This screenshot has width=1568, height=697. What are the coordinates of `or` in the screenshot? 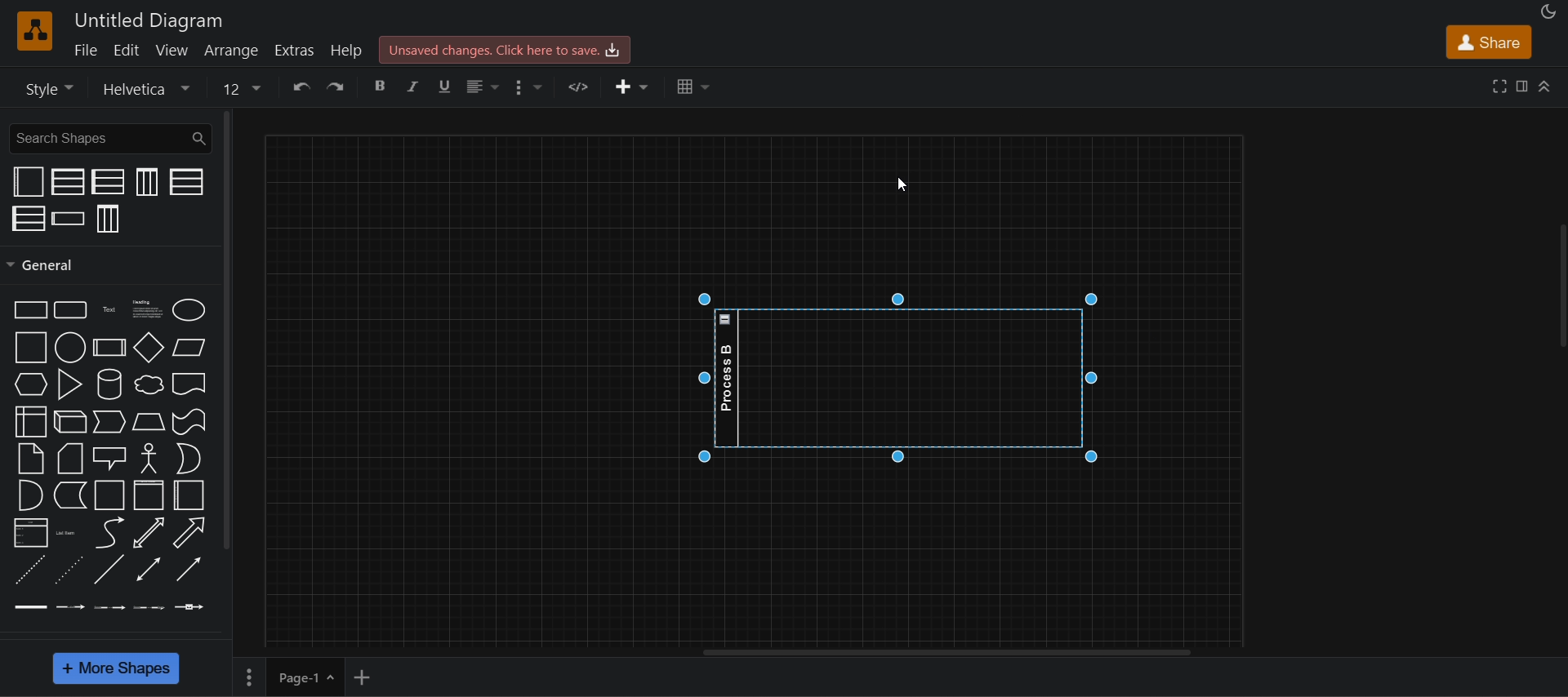 It's located at (188, 458).